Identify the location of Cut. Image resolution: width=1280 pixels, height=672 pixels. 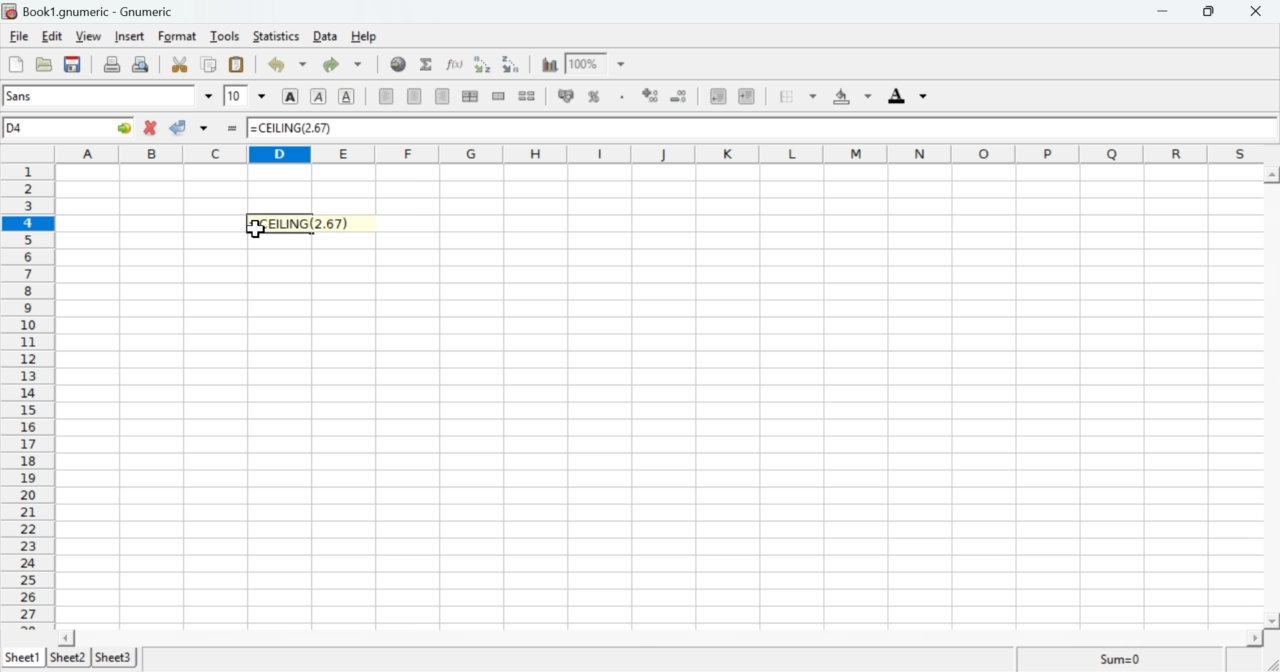
(180, 65).